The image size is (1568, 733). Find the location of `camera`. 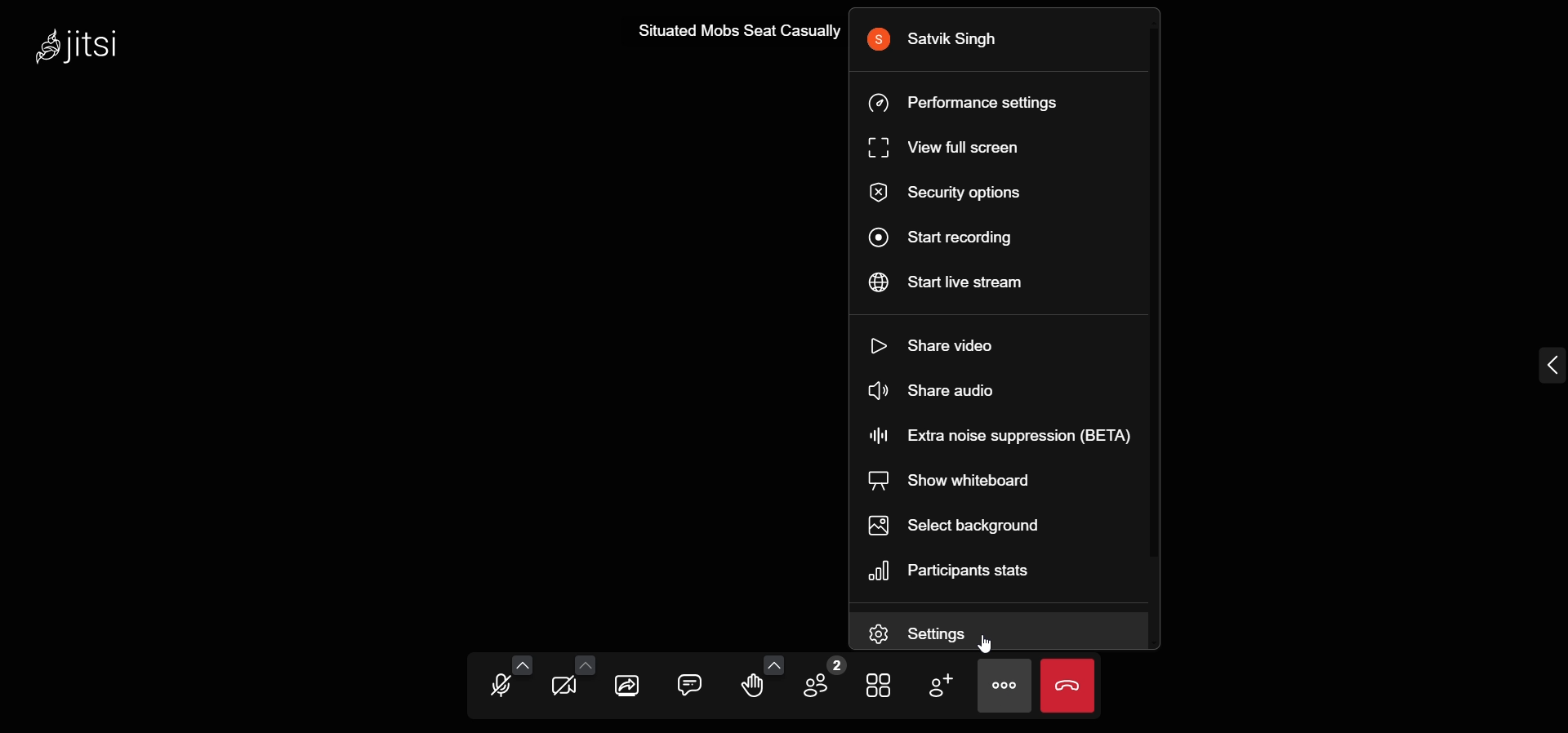

camera is located at coordinates (564, 687).